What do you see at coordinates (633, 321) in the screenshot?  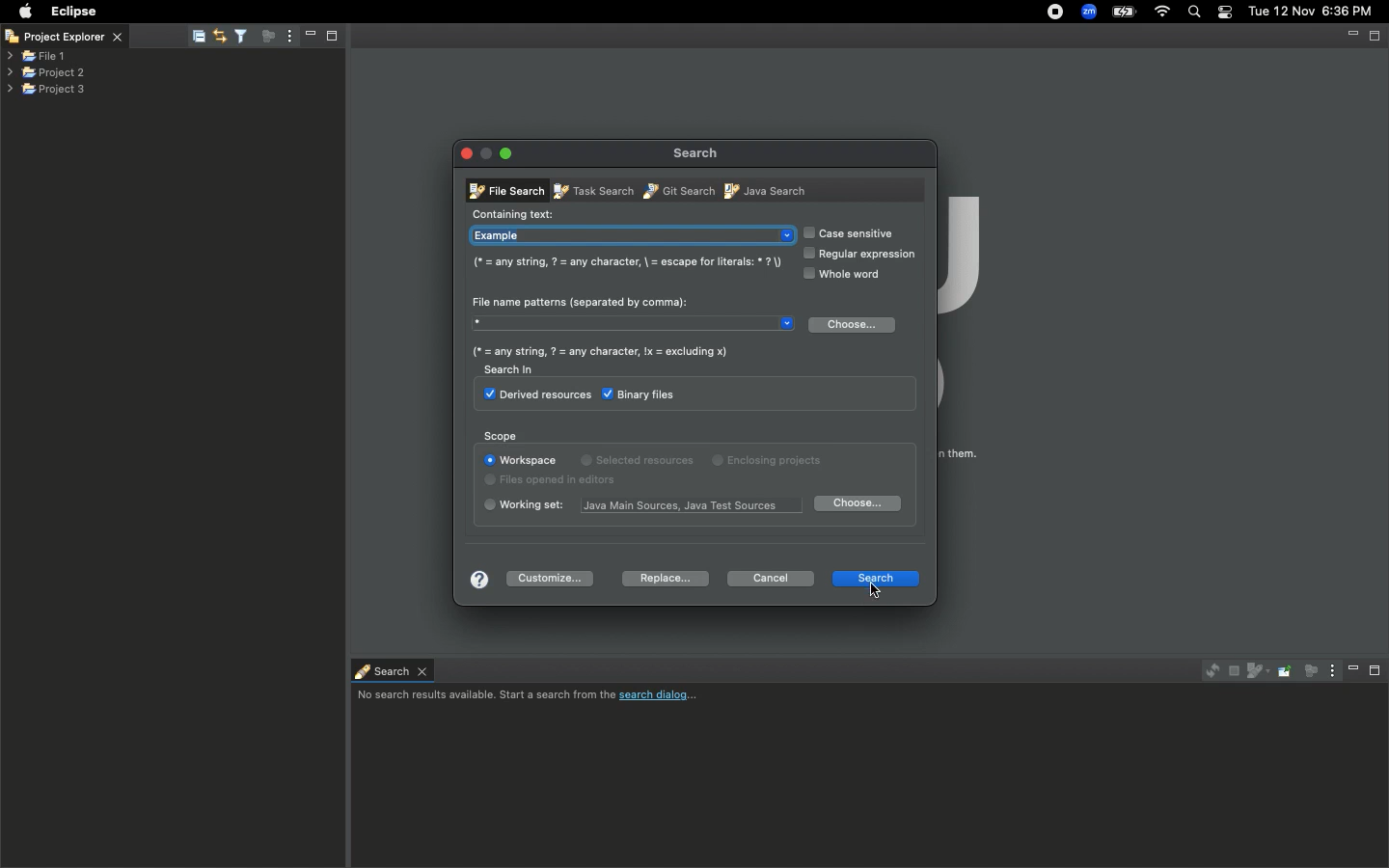 I see `Star` at bounding box center [633, 321].